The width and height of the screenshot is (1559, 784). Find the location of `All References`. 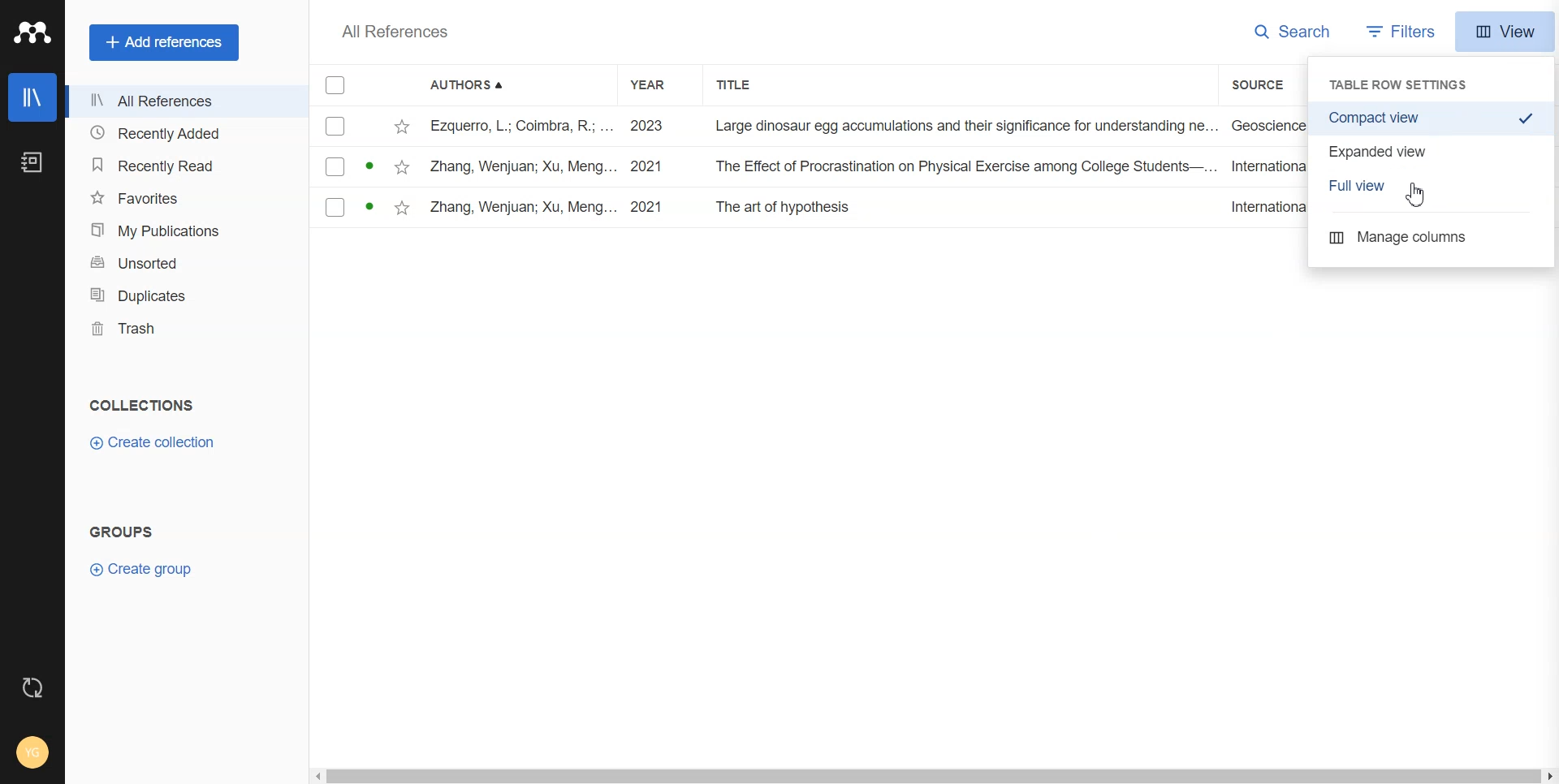

All References is located at coordinates (395, 32).